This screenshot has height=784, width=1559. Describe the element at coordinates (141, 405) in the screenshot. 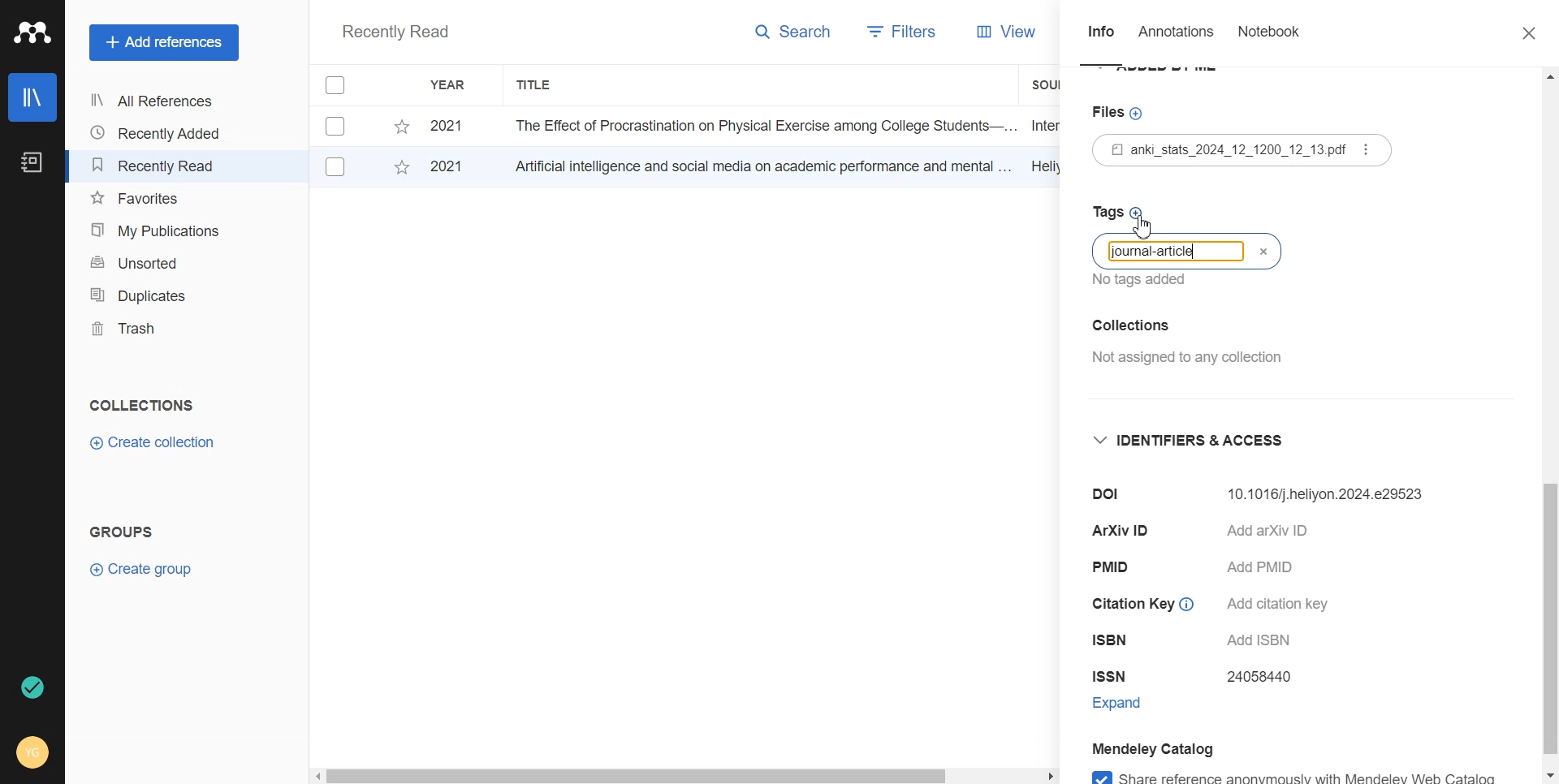

I see `Collections` at that location.